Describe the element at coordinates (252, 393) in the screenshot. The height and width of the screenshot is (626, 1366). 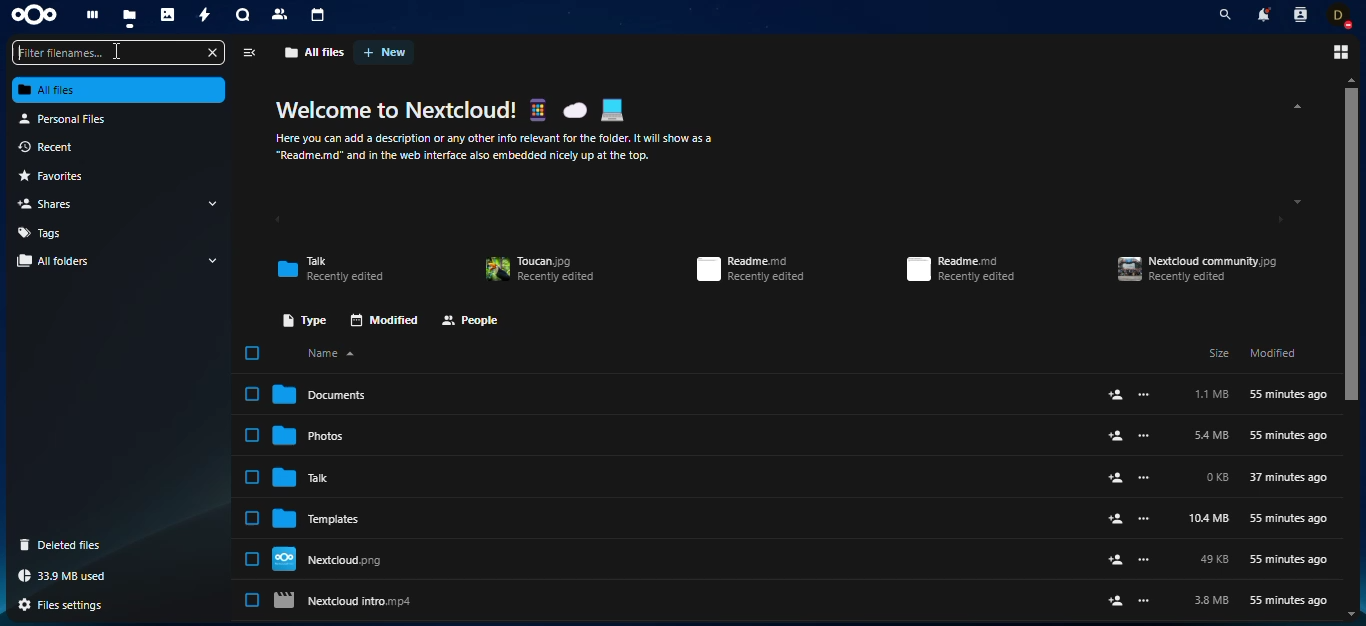
I see `Click to select` at that location.